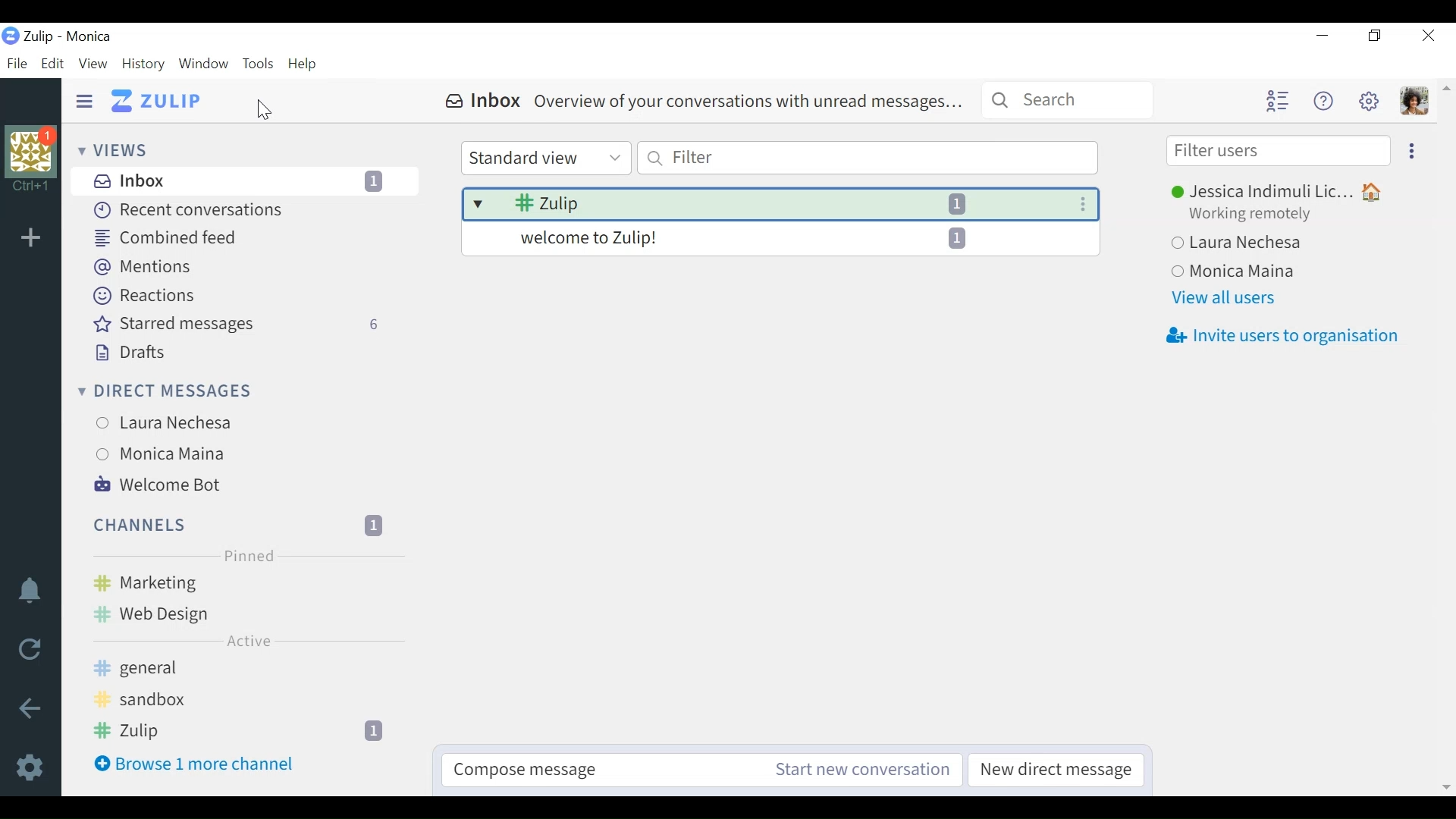 This screenshot has width=1456, height=819. I want to click on Pinned, so click(248, 557).